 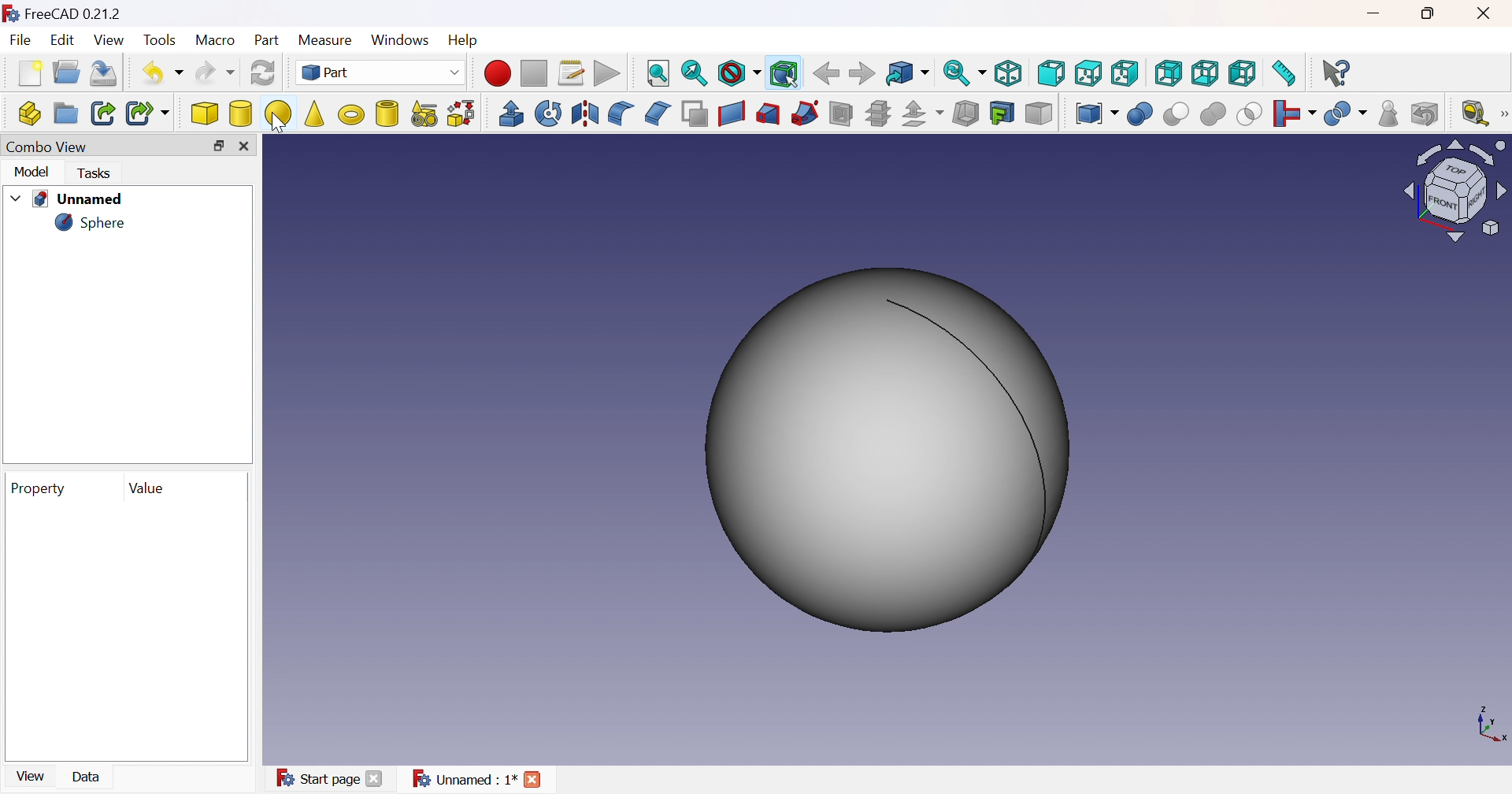 I want to click on Offset:, so click(x=922, y=113).